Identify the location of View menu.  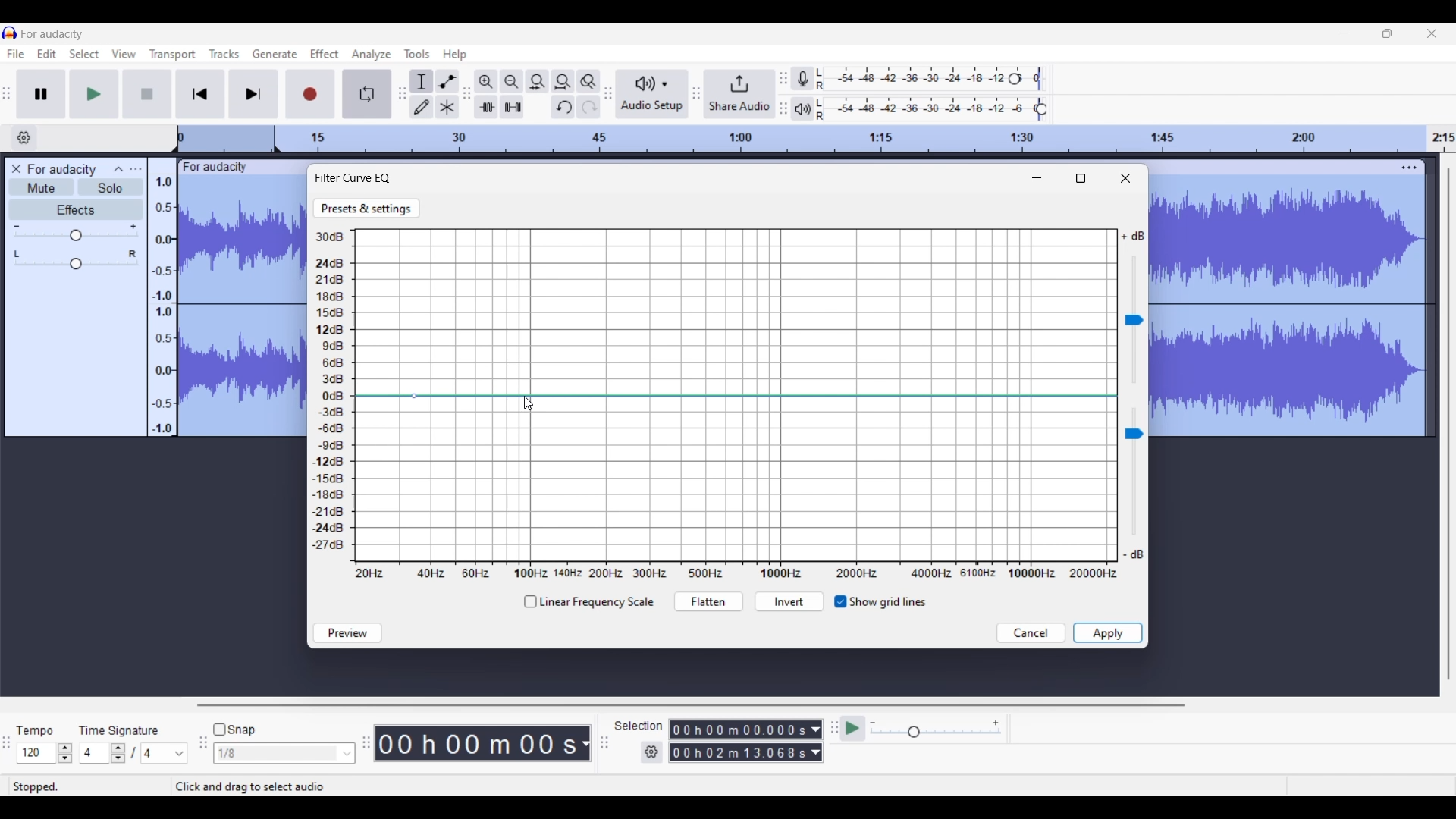
(124, 54).